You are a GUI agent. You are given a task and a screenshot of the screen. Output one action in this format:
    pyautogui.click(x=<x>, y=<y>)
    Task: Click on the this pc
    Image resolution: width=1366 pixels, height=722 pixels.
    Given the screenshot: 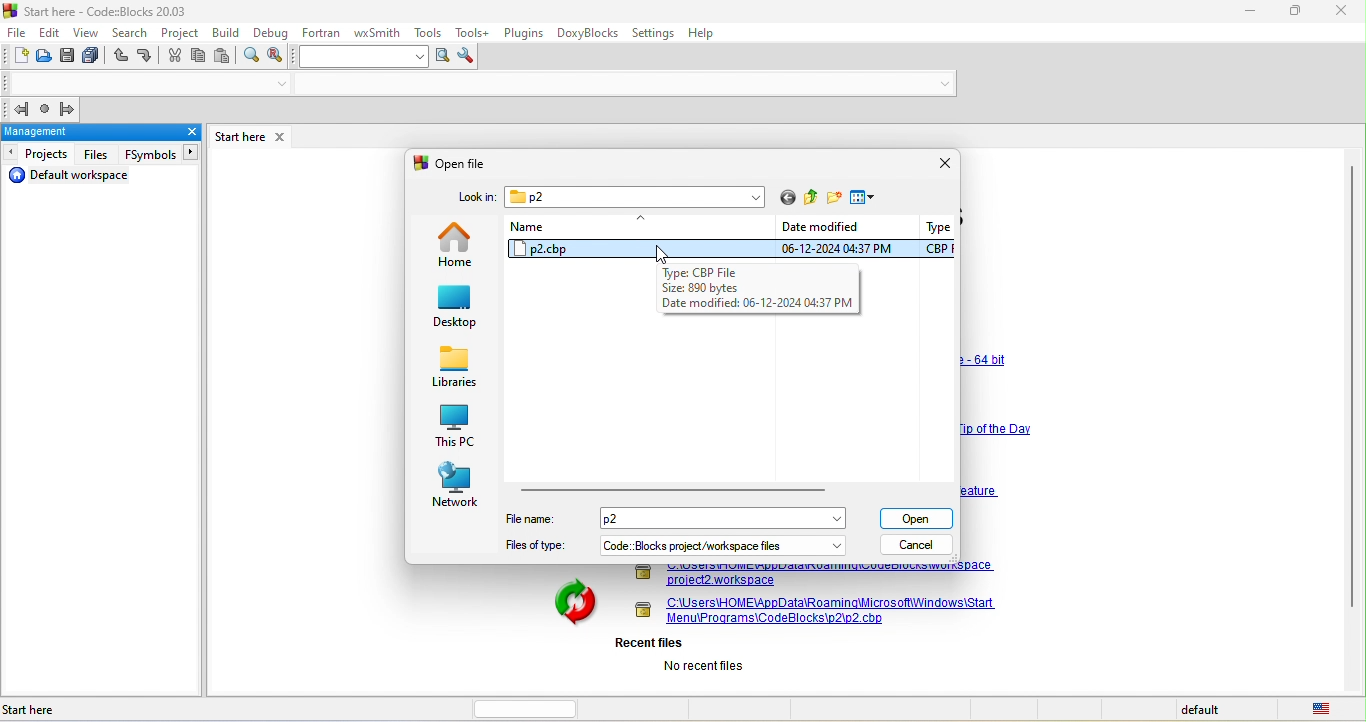 What is the action you would take?
    pyautogui.click(x=458, y=427)
    